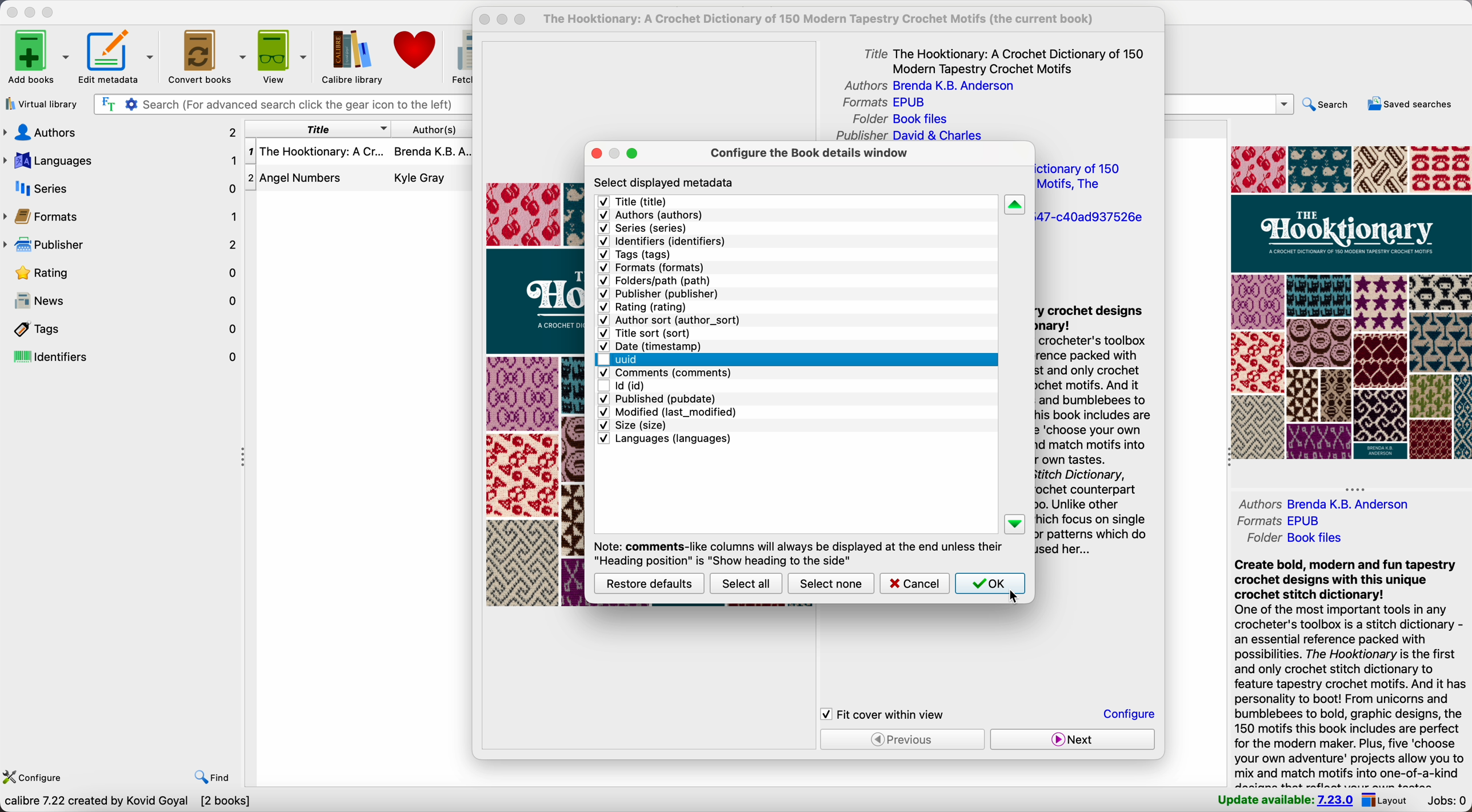 This screenshot has width=1472, height=812. Describe the element at coordinates (360, 155) in the screenshot. I see `The Hooktionary book details` at that location.